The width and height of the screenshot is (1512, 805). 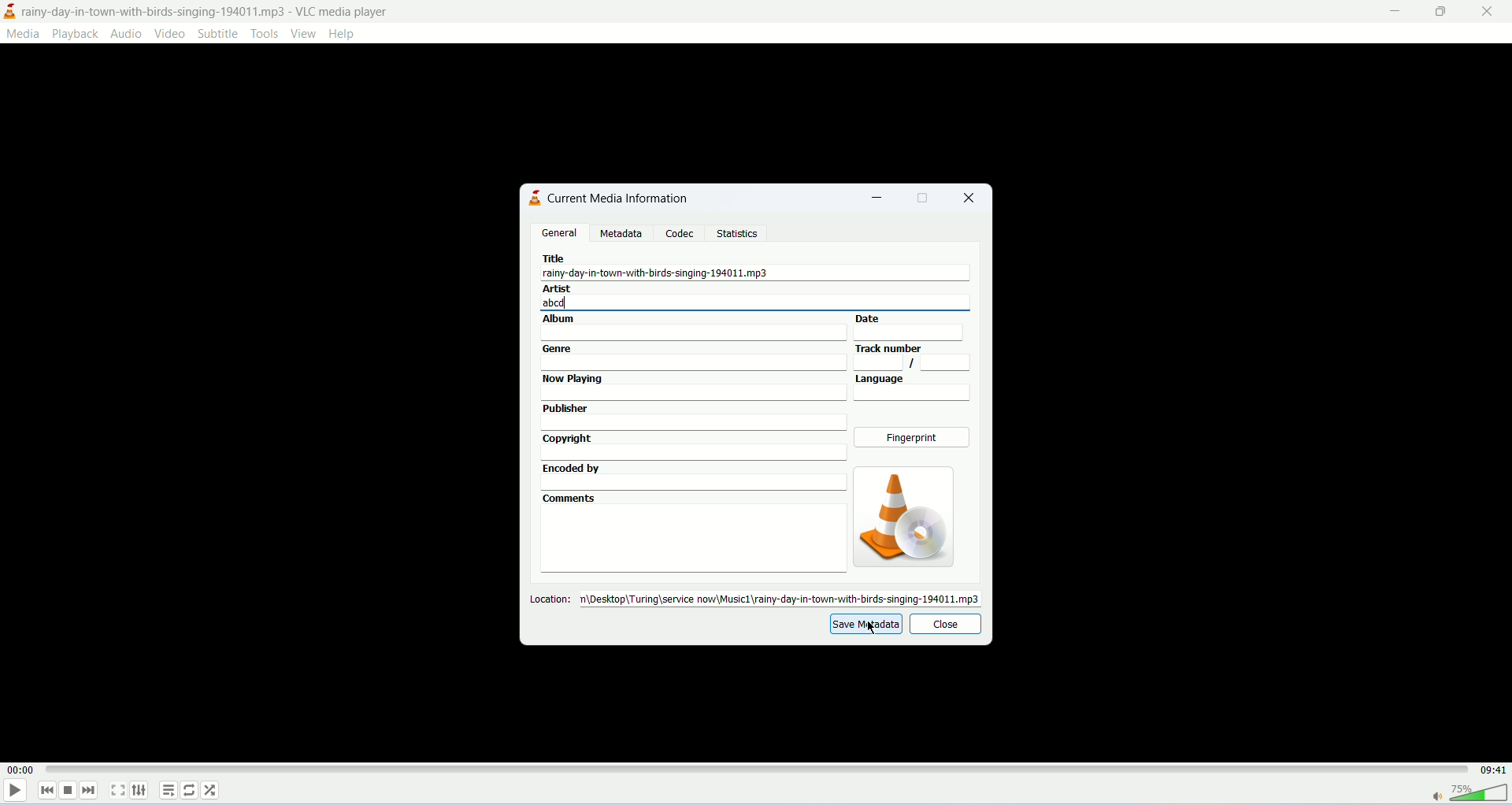 I want to click on subtitle, so click(x=217, y=34).